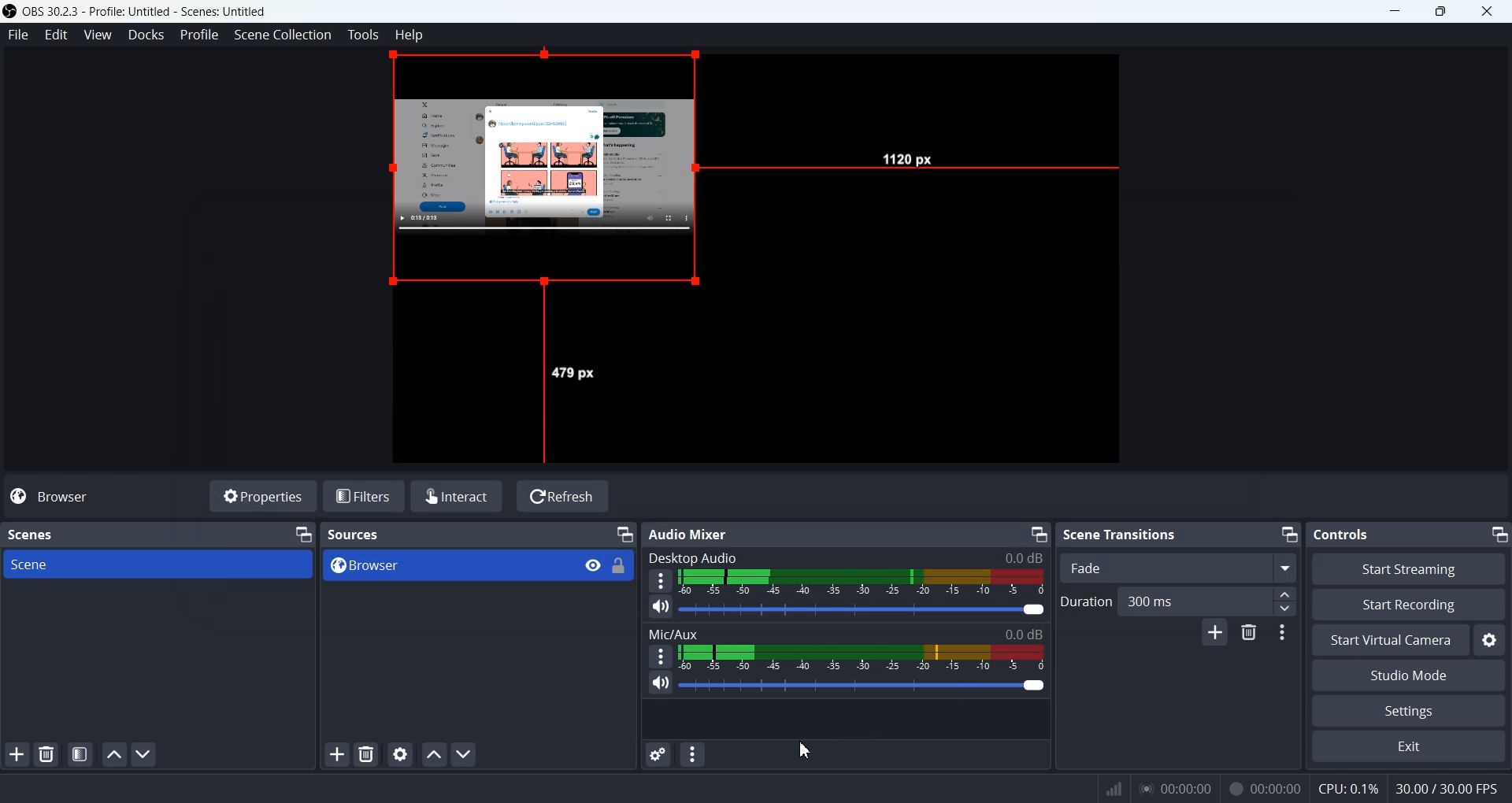 This screenshot has width=1512, height=803. I want to click on Volume Adjuster, so click(862, 685).